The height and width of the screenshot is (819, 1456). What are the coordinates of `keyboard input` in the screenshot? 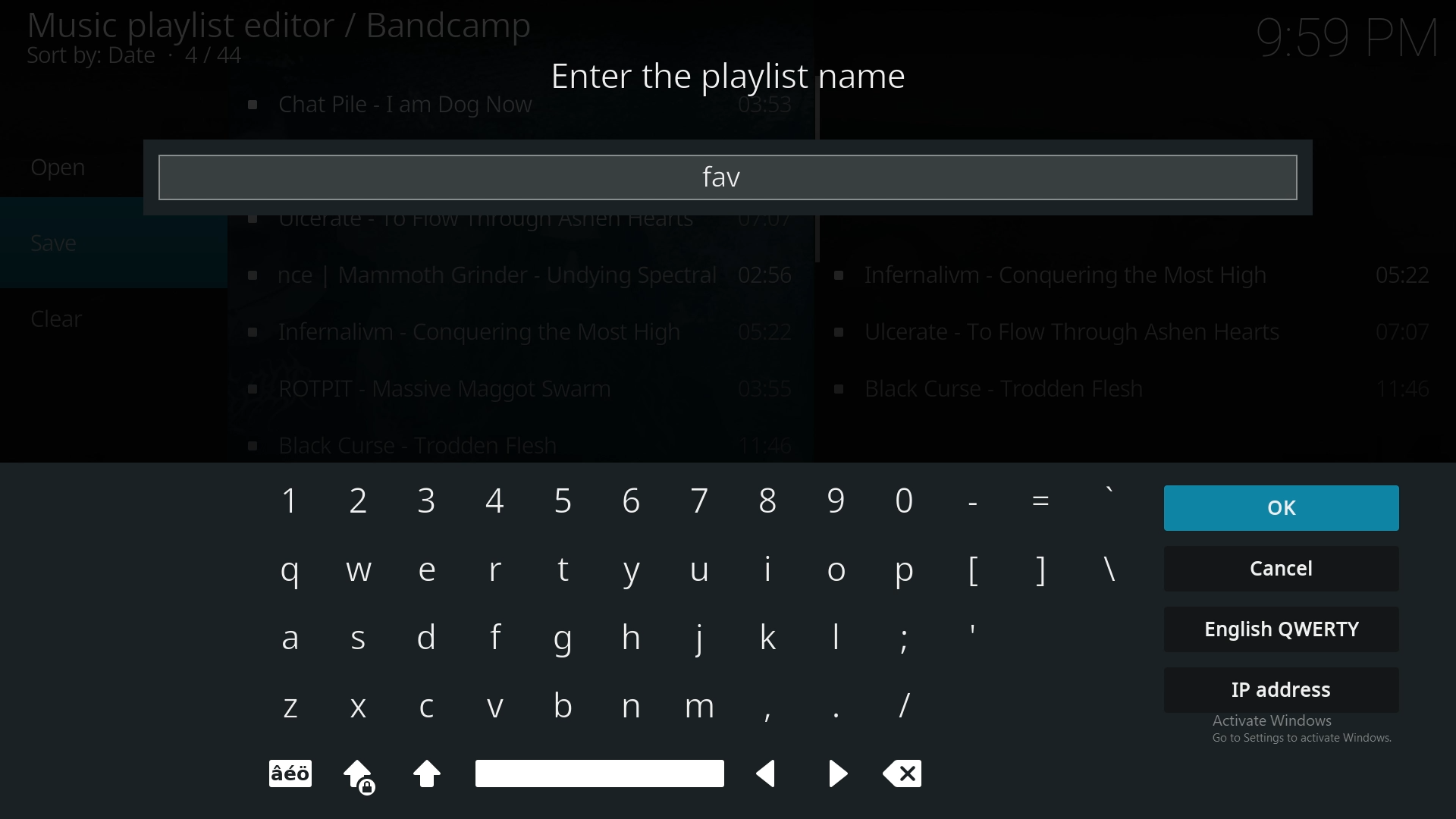 It's located at (431, 636).